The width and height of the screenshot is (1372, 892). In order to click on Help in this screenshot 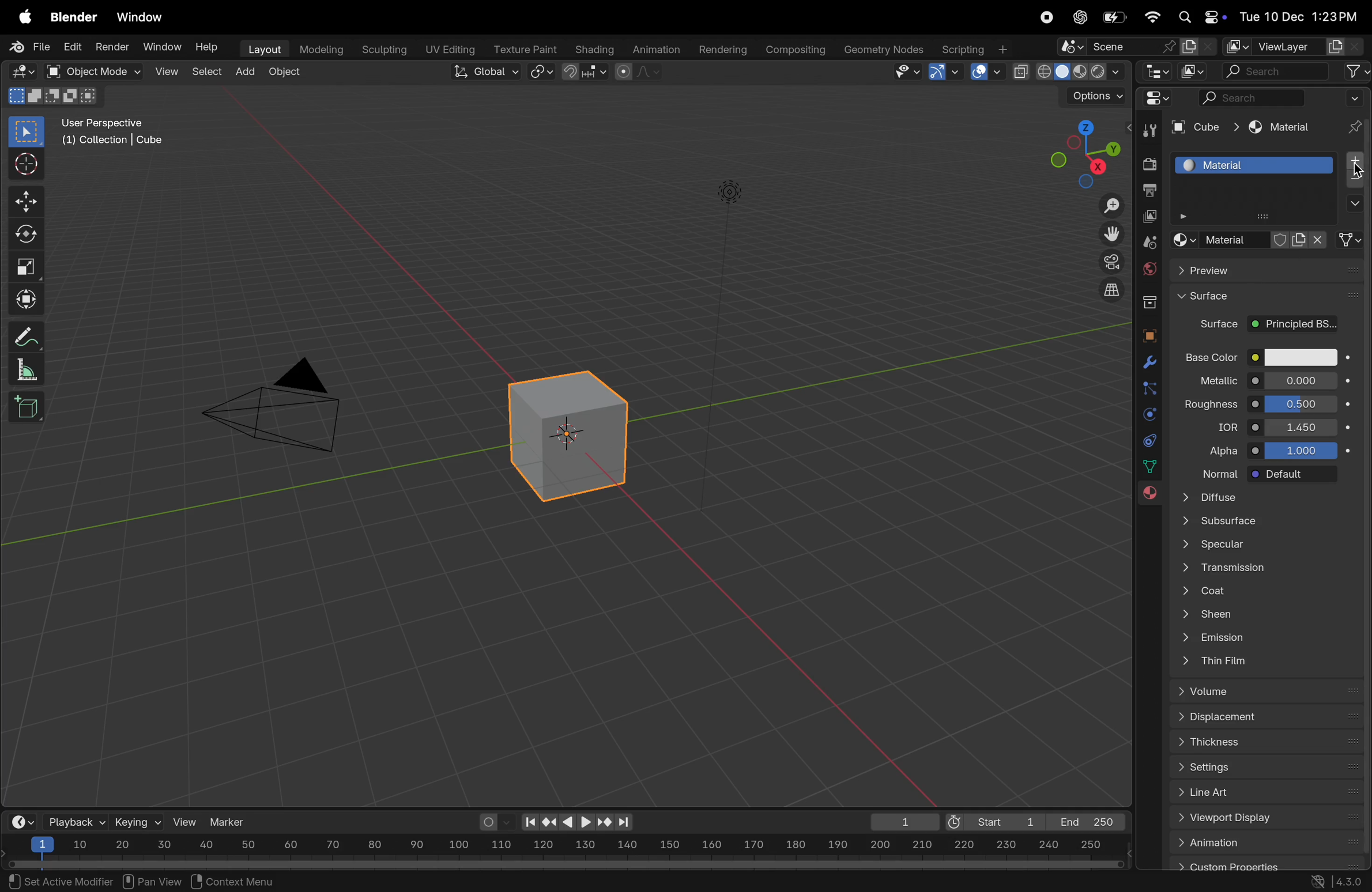, I will do `click(209, 48)`.